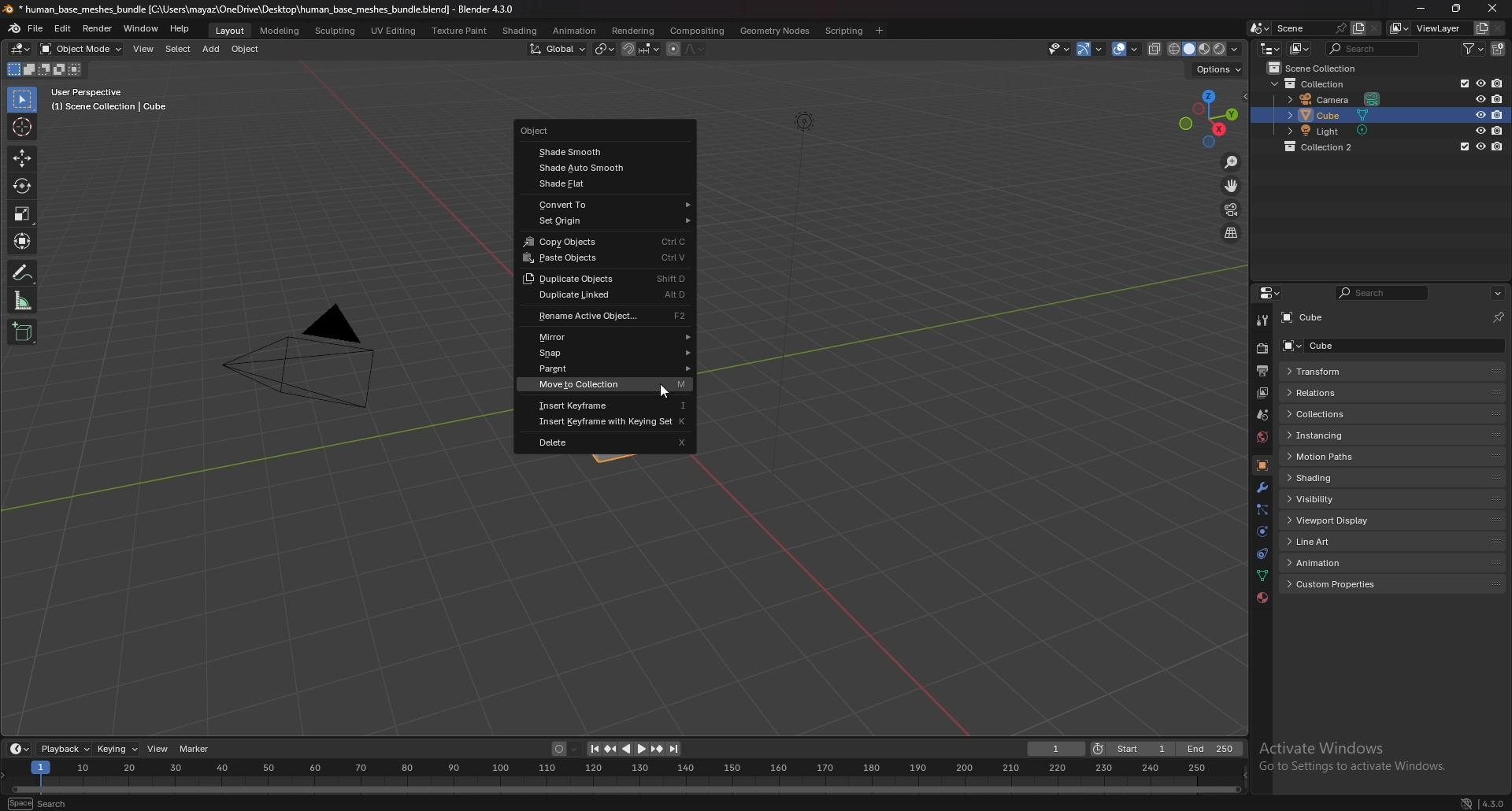 The image size is (1512, 811). What do you see at coordinates (1342, 392) in the screenshot?
I see `relations` at bounding box center [1342, 392].